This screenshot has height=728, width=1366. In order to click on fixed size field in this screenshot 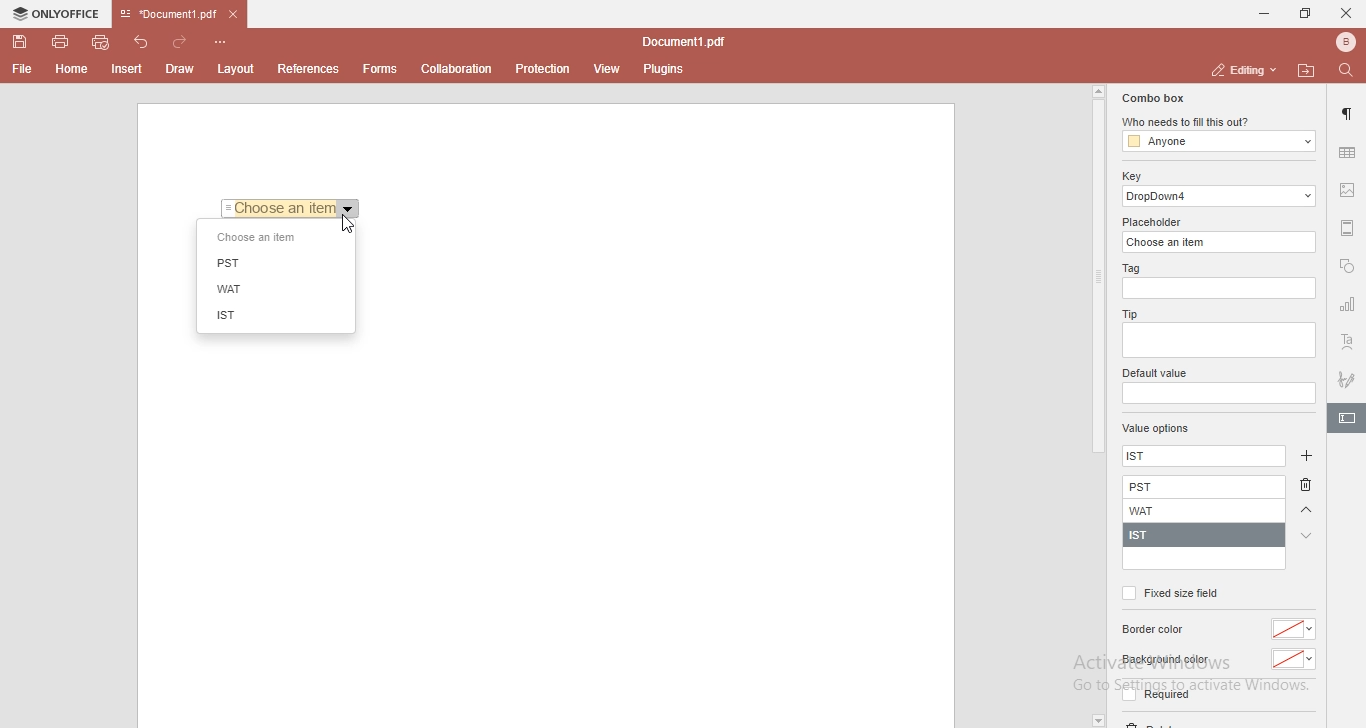, I will do `click(1169, 593)`.